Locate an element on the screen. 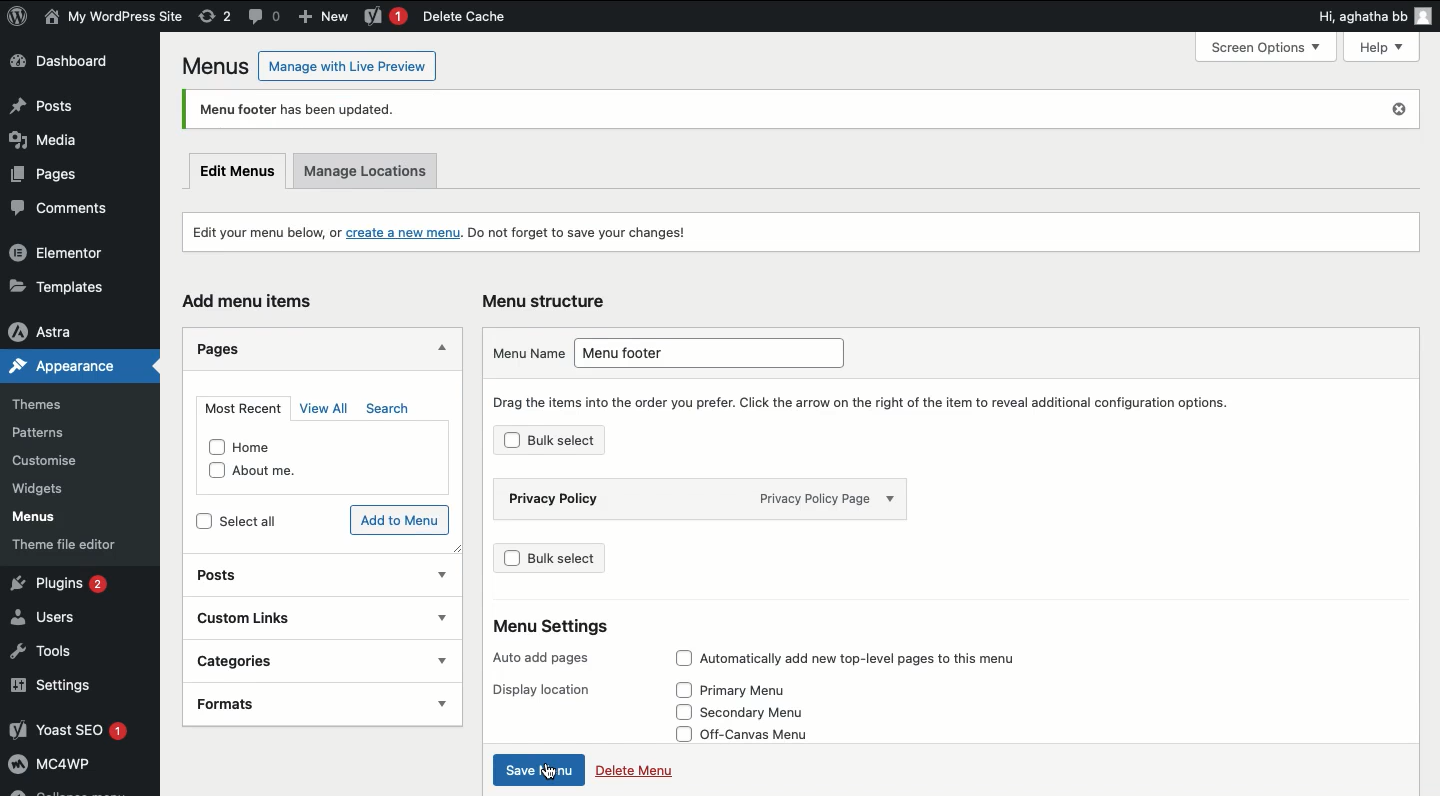 The width and height of the screenshot is (1440, 796). Appearance is located at coordinates (58, 370).